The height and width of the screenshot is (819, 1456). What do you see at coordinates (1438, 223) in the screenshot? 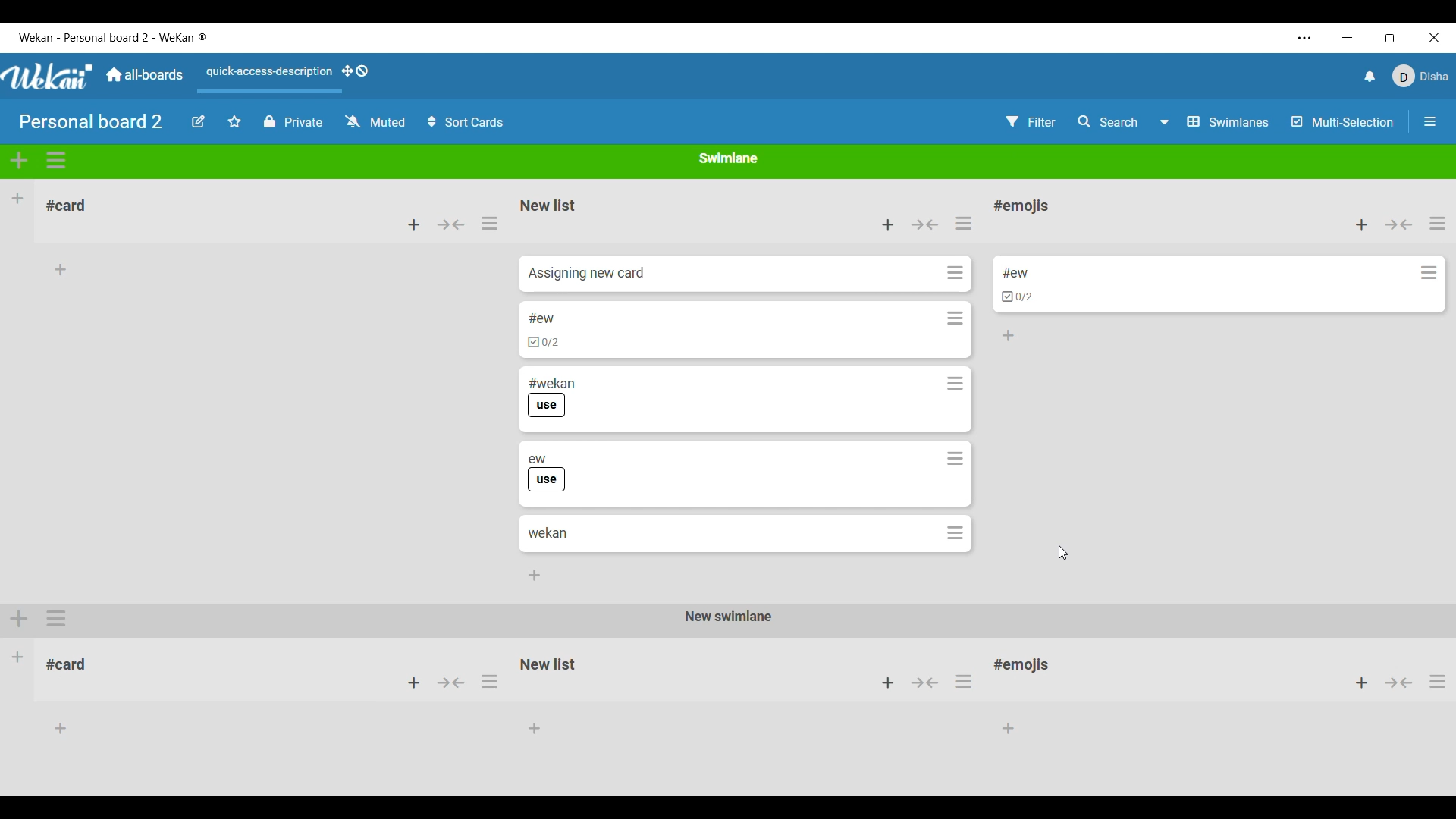
I see `List actions` at bounding box center [1438, 223].